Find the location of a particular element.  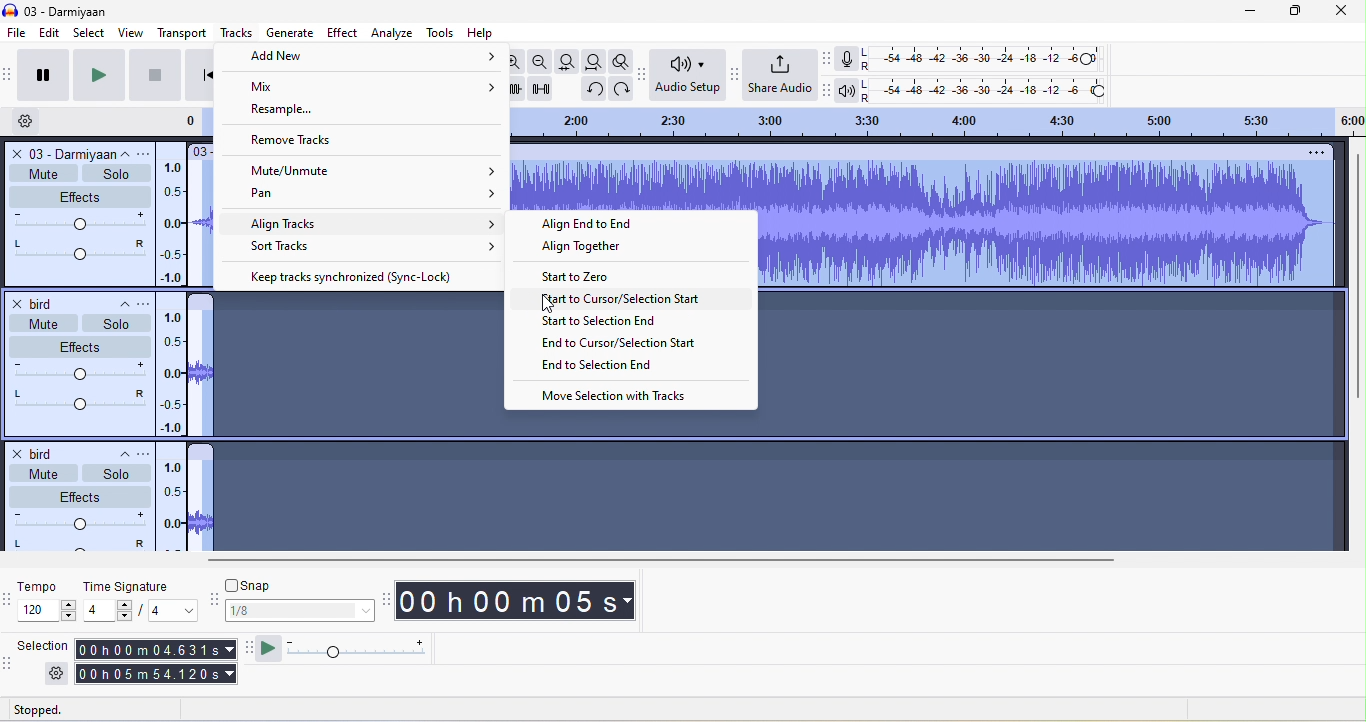

open menu is located at coordinates (149, 302).